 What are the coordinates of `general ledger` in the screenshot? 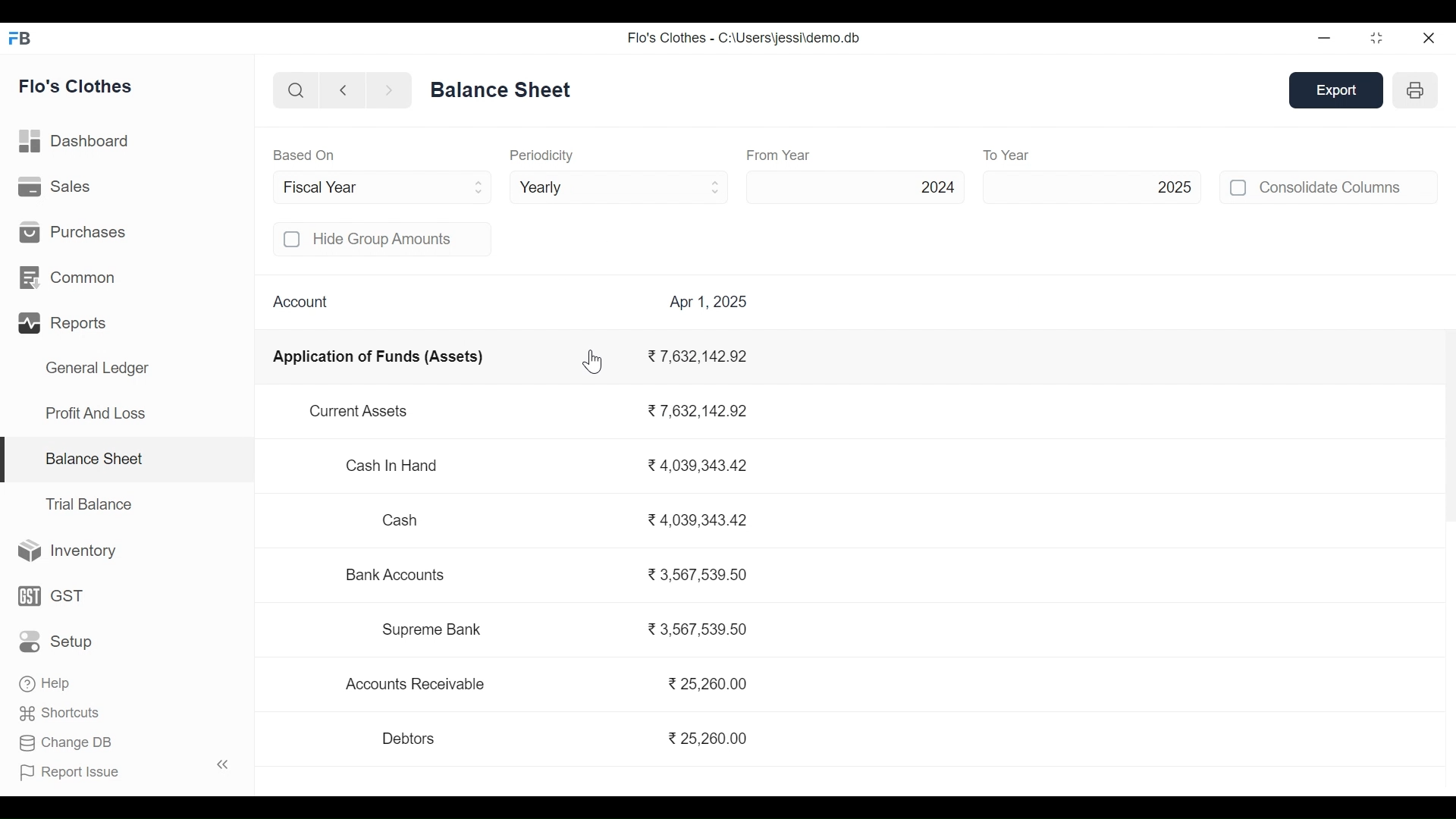 It's located at (504, 89).